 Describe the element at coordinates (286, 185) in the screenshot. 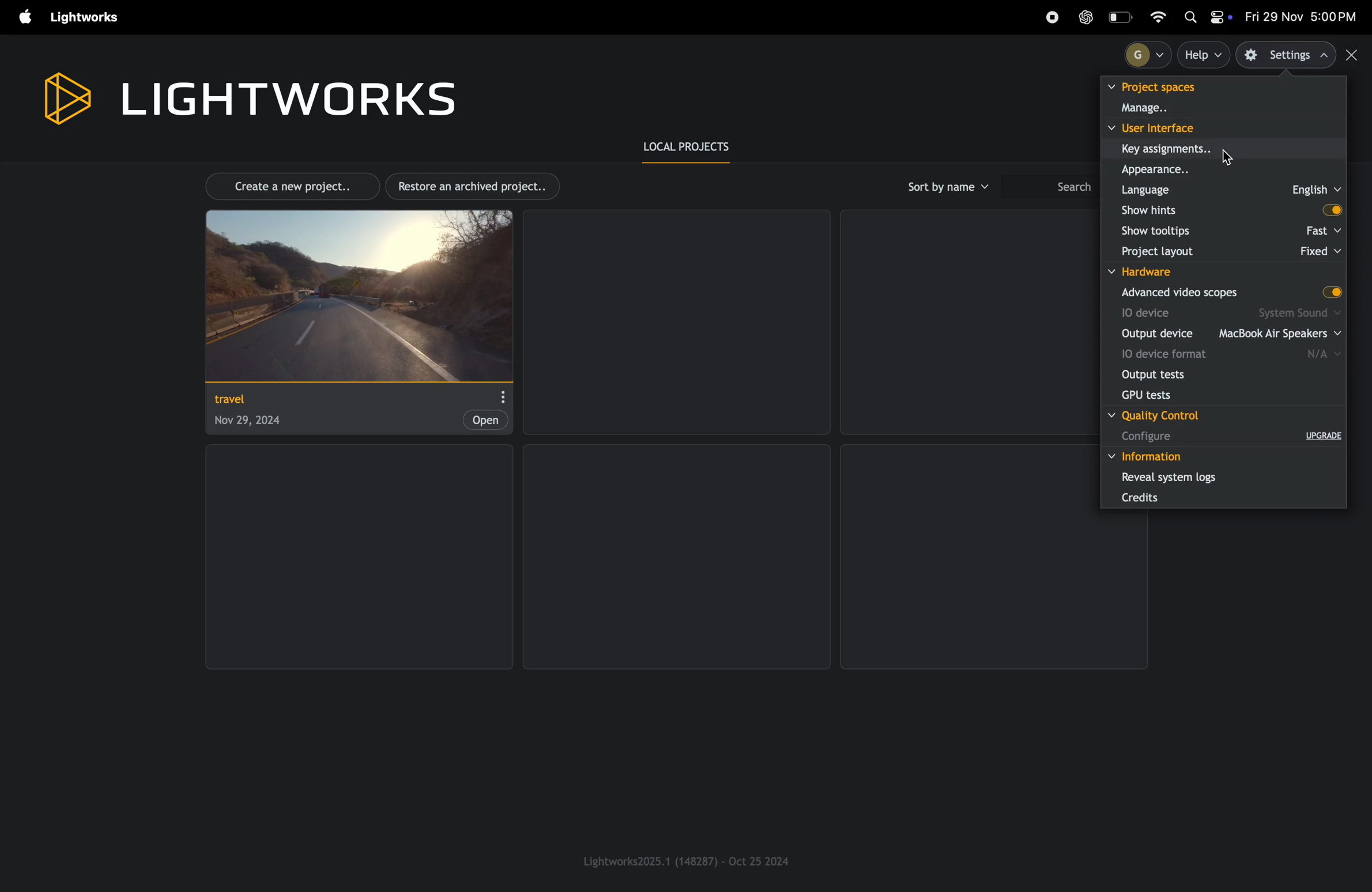

I see `create new project` at that location.